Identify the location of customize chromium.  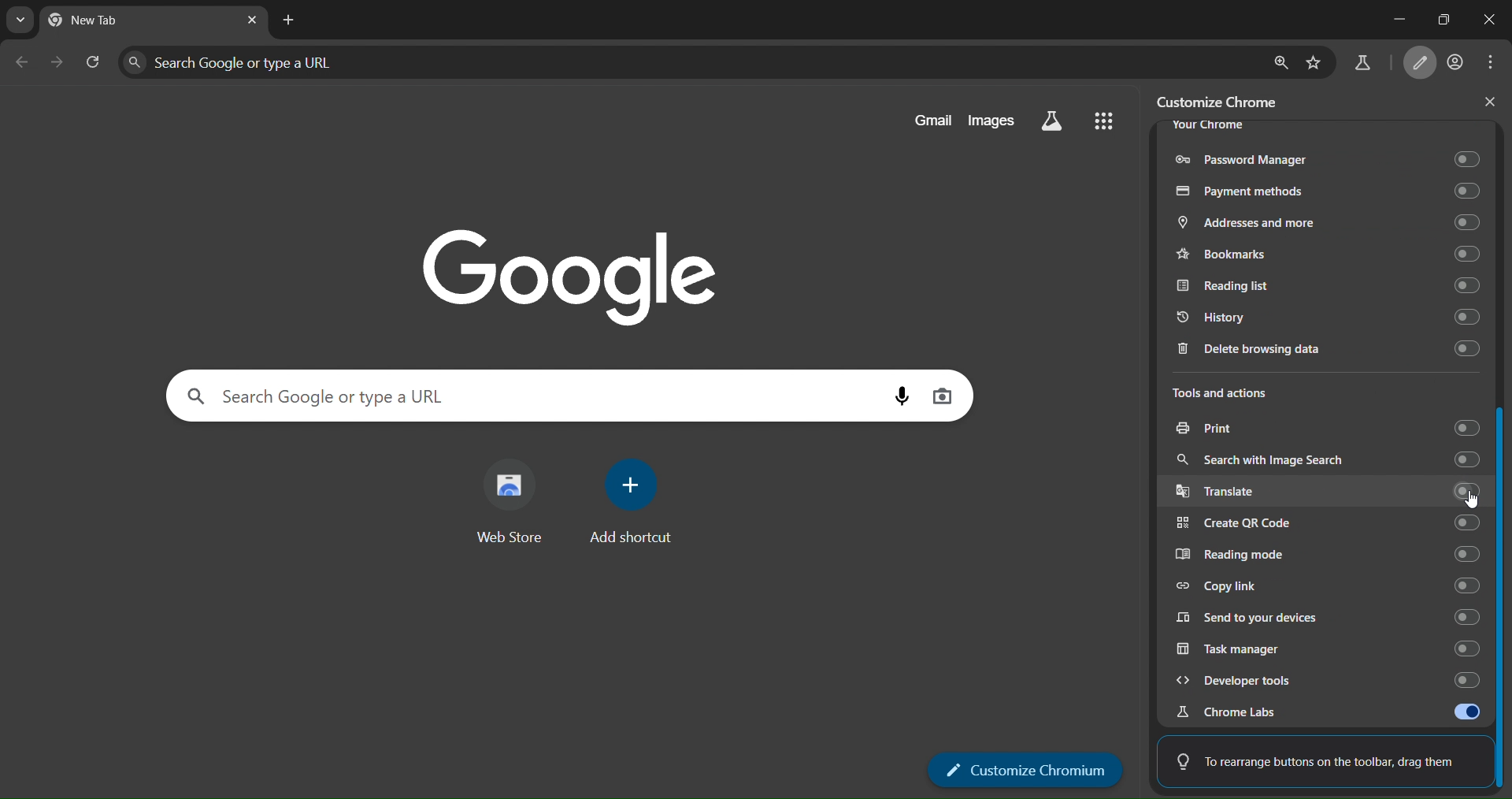
(1026, 769).